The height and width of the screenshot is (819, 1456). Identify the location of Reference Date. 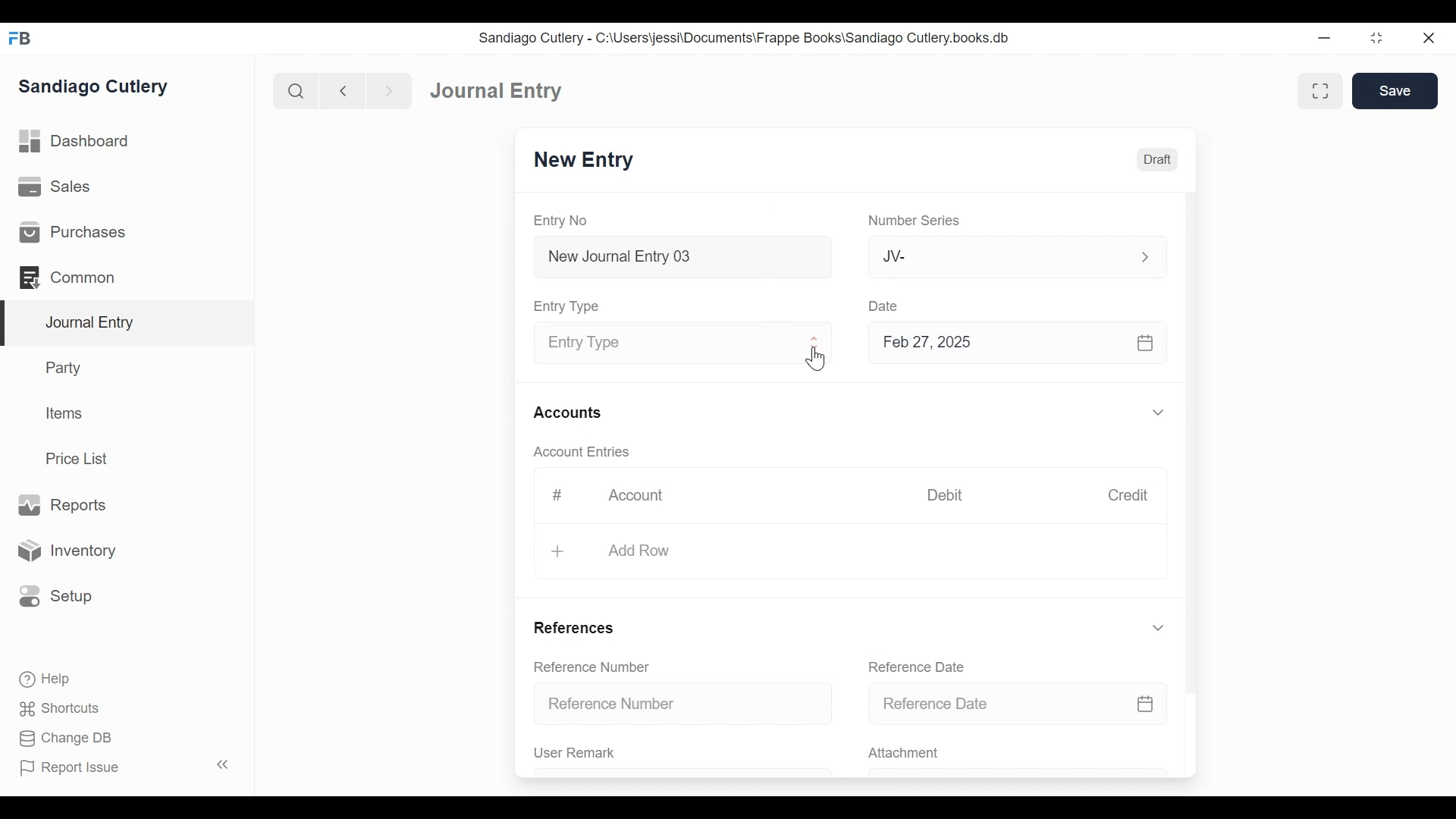
(919, 667).